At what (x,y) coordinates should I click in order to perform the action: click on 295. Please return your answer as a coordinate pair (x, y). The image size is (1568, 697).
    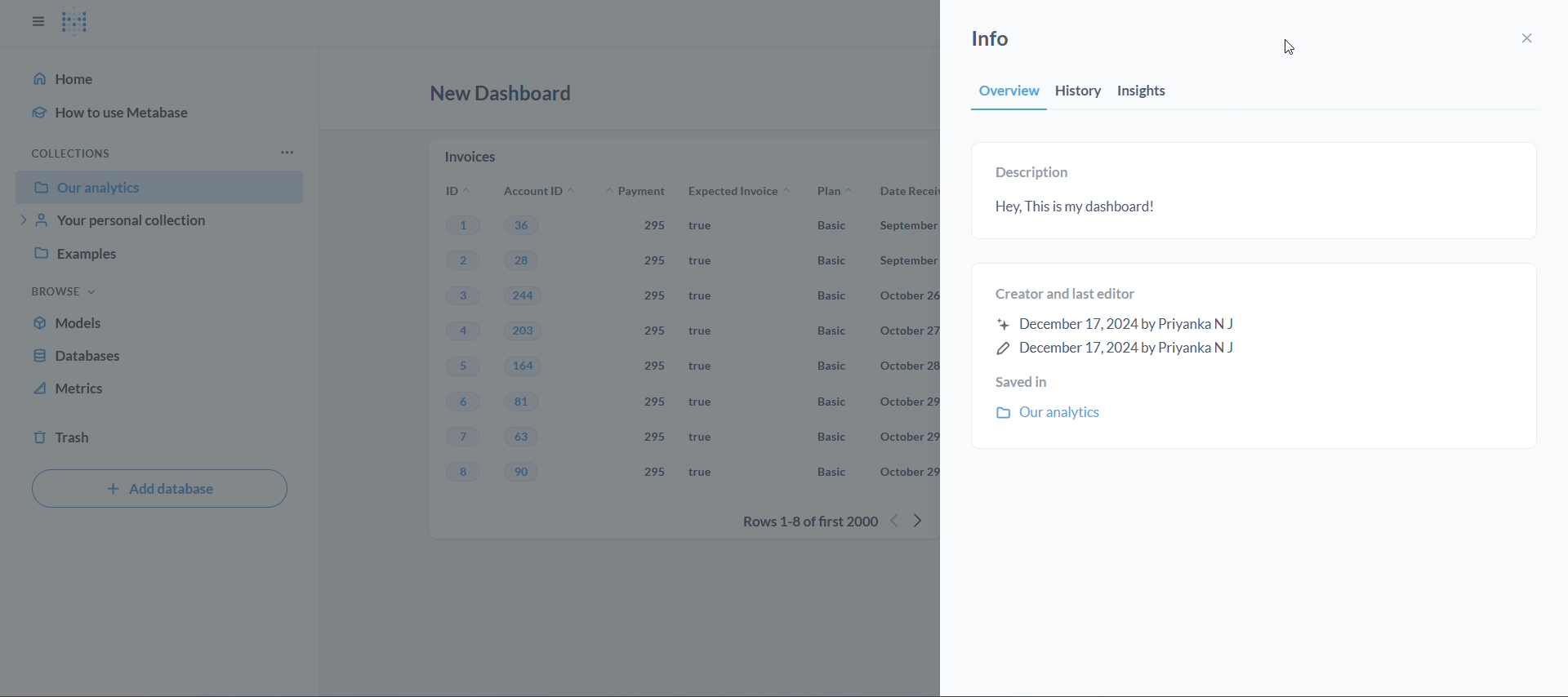
    Looking at the image, I should click on (657, 402).